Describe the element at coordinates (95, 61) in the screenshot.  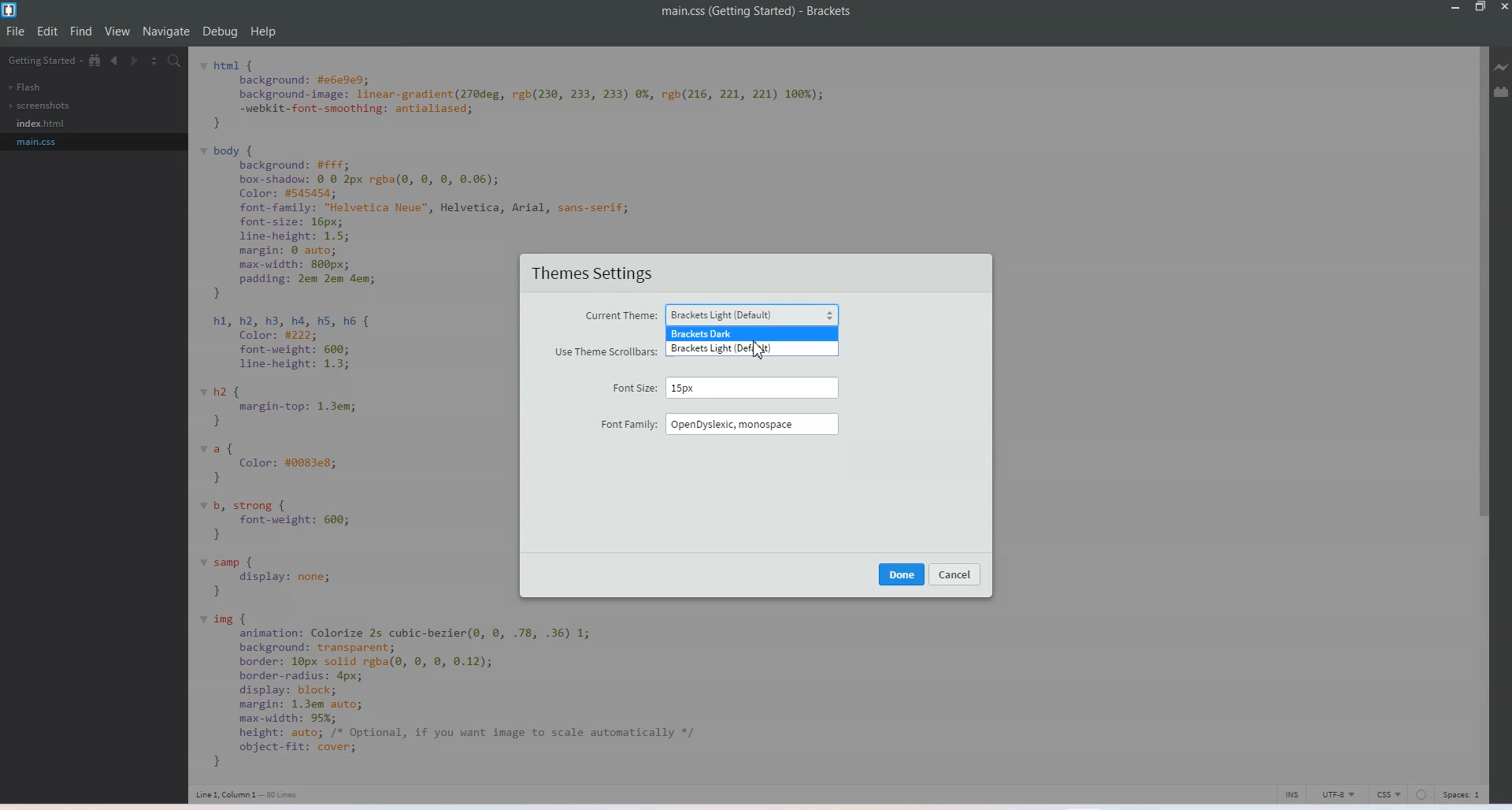
I see `Show in file tree` at that location.